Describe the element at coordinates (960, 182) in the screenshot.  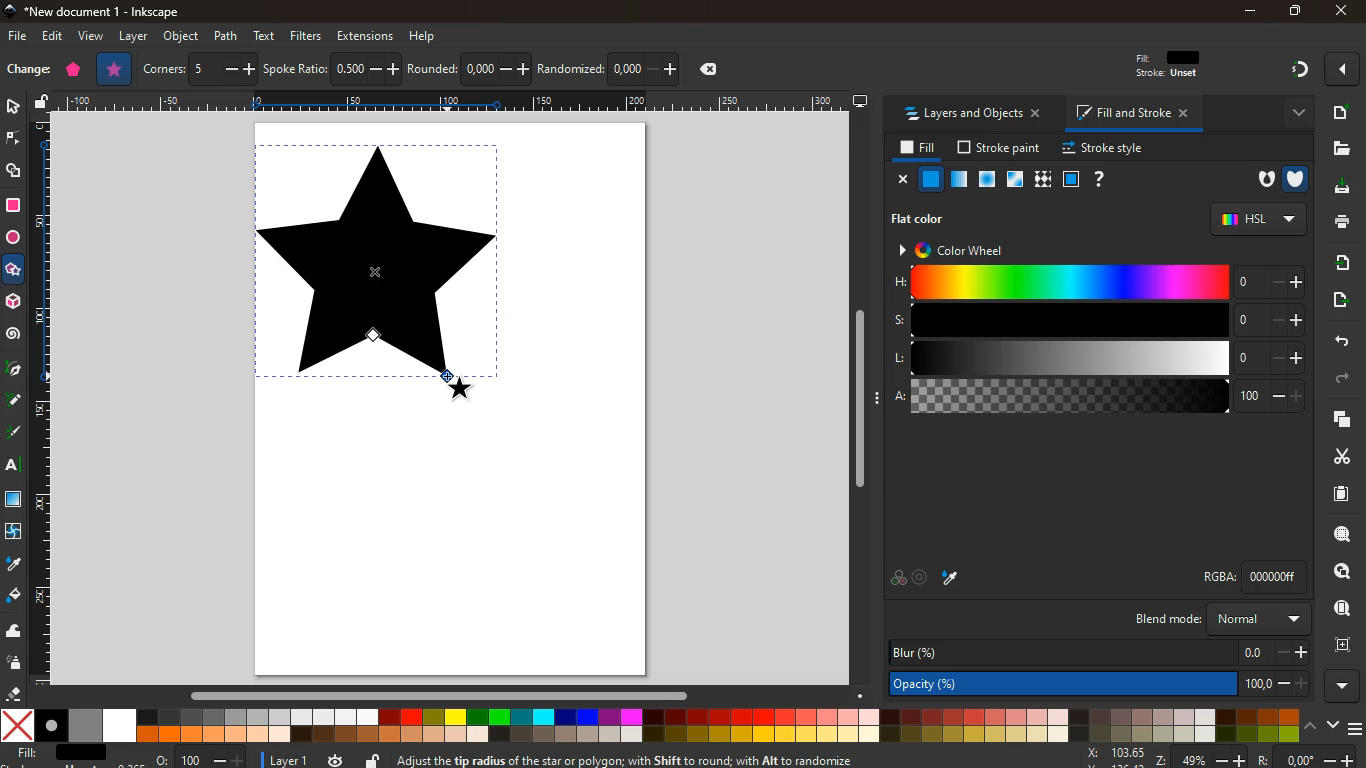
I see `opacity` at that location.